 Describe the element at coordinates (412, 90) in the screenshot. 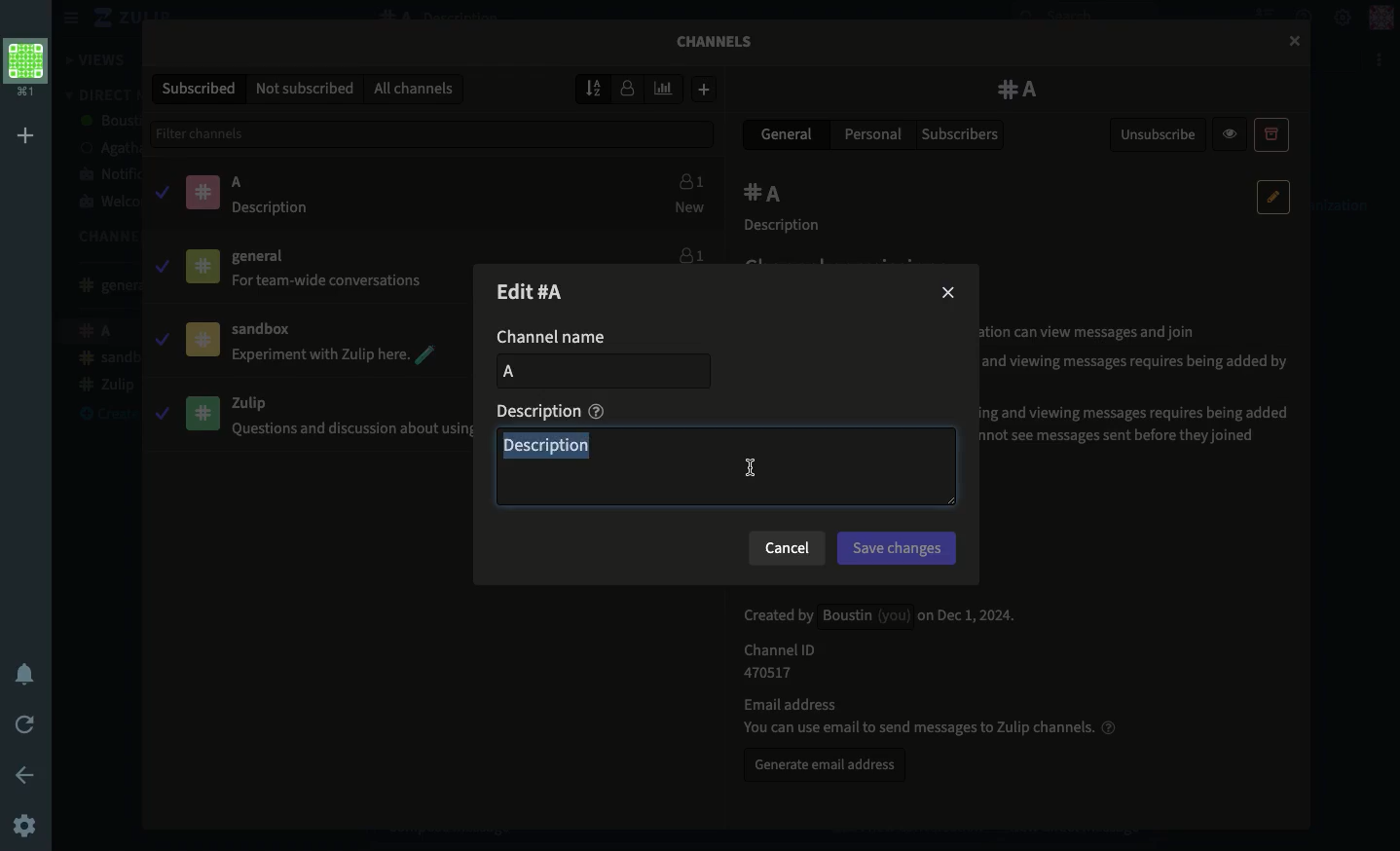

I see `All channels` at that location.